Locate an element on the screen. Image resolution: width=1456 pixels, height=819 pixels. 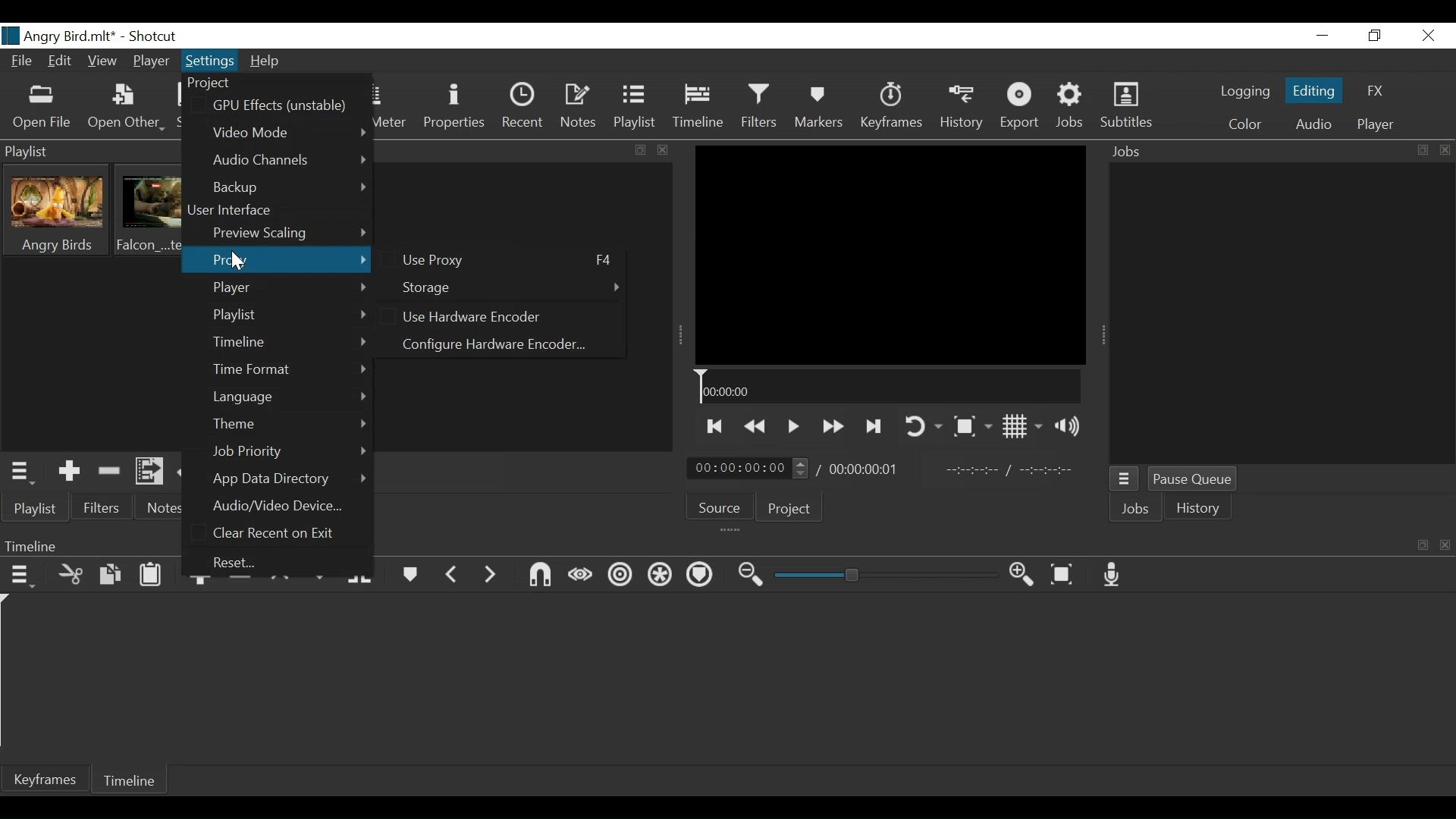
Timeline Panel is located at coordinates (32, 544).